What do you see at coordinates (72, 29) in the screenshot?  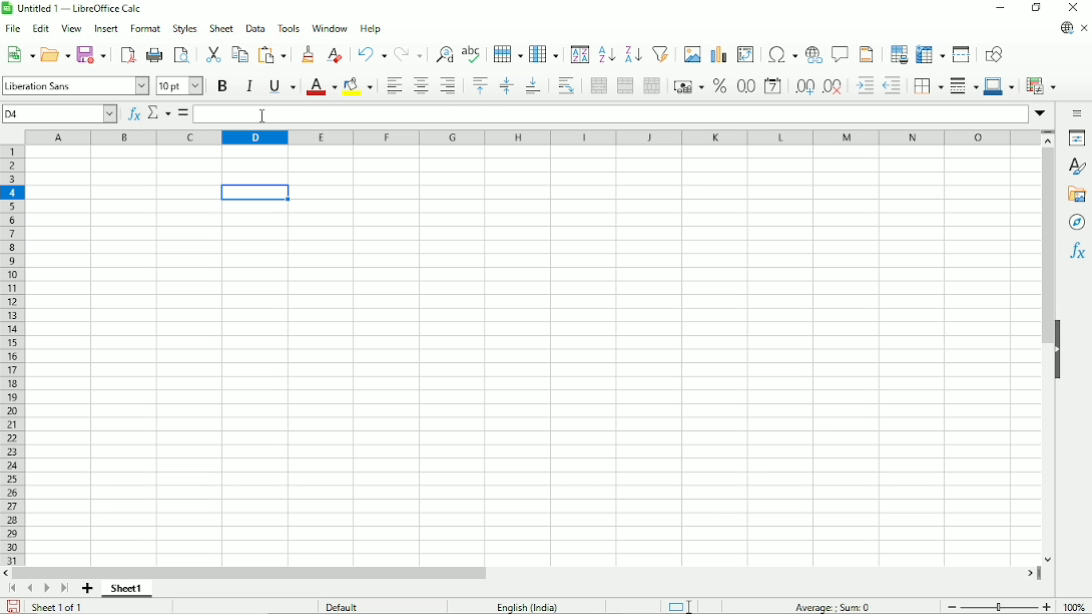 I see `View` at bounding box center [72, 29].